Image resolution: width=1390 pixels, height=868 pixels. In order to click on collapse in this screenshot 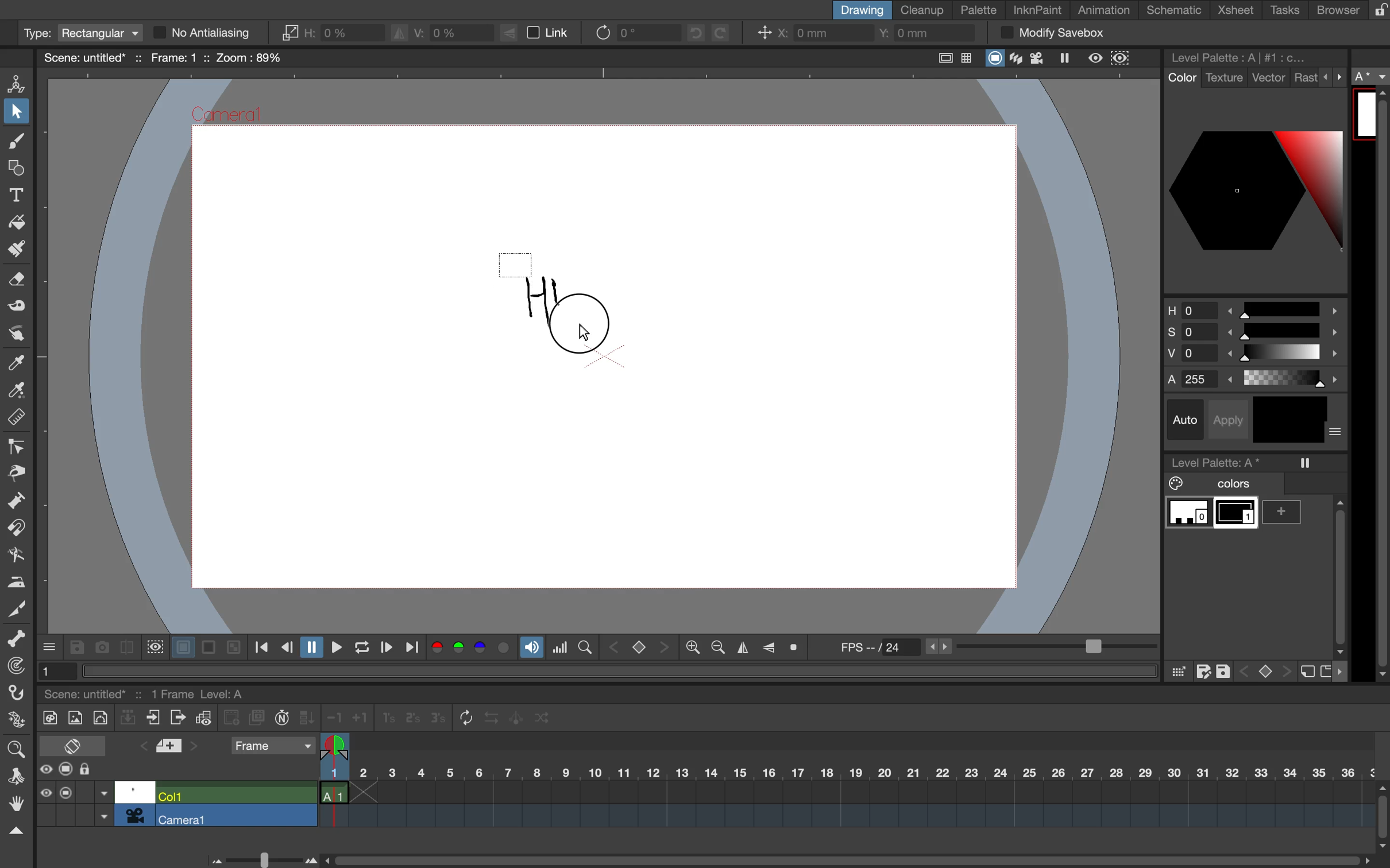, I will do `click(15, 831)`.